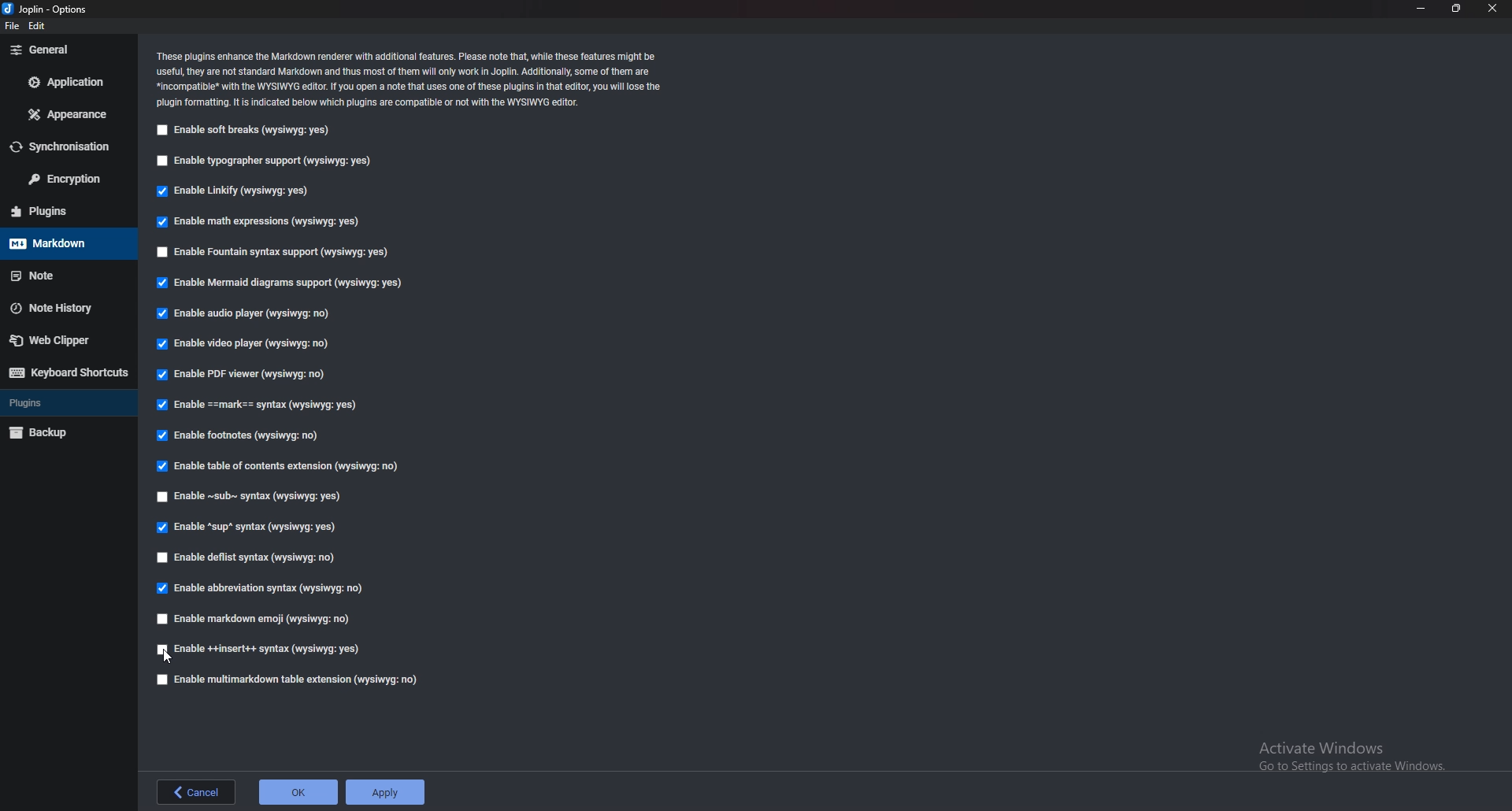 The height and width of the screenshot is (811, 1512). I want to click on Enable soft breaks (wysiwyg: yes), so click(249, 129).